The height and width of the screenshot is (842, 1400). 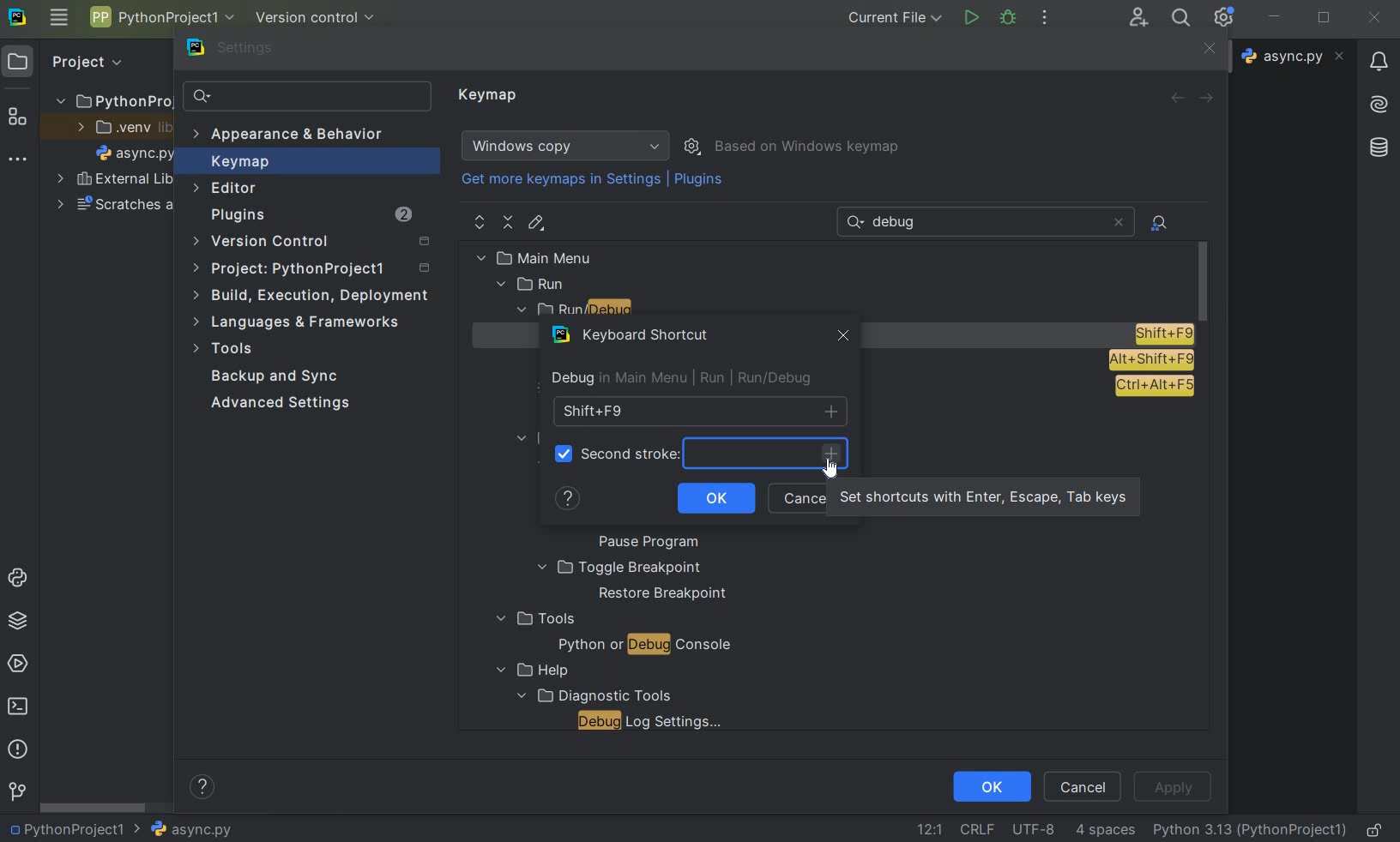 I want to click on run/debug, so click(x=763, y=378).